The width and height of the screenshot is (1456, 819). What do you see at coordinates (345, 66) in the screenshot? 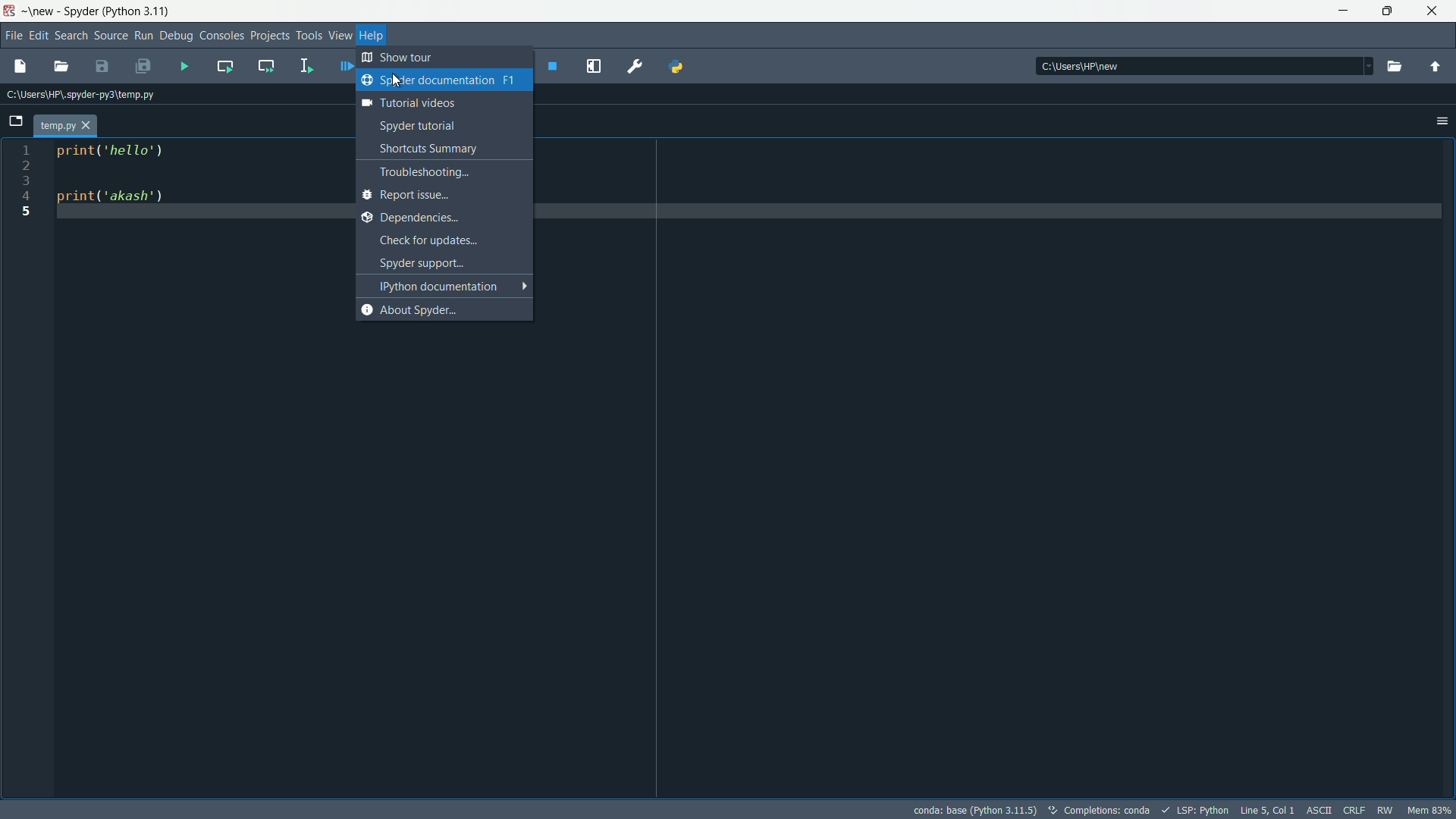
I see `debug file` at bounding box center [345, 66].